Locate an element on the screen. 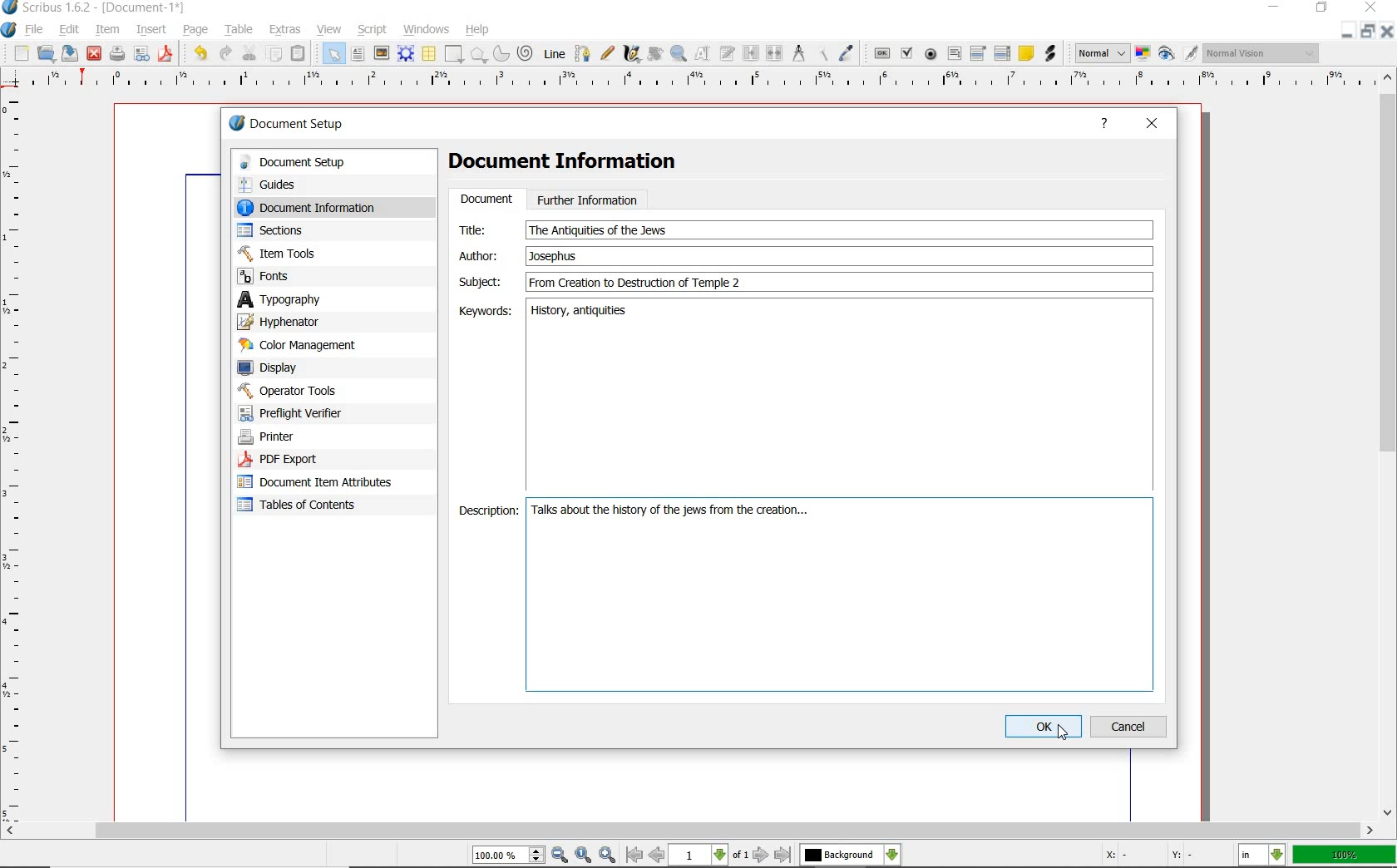 The height and width of the screenshot is (868, 1397). minimize is located at coordinates (1349, 28).